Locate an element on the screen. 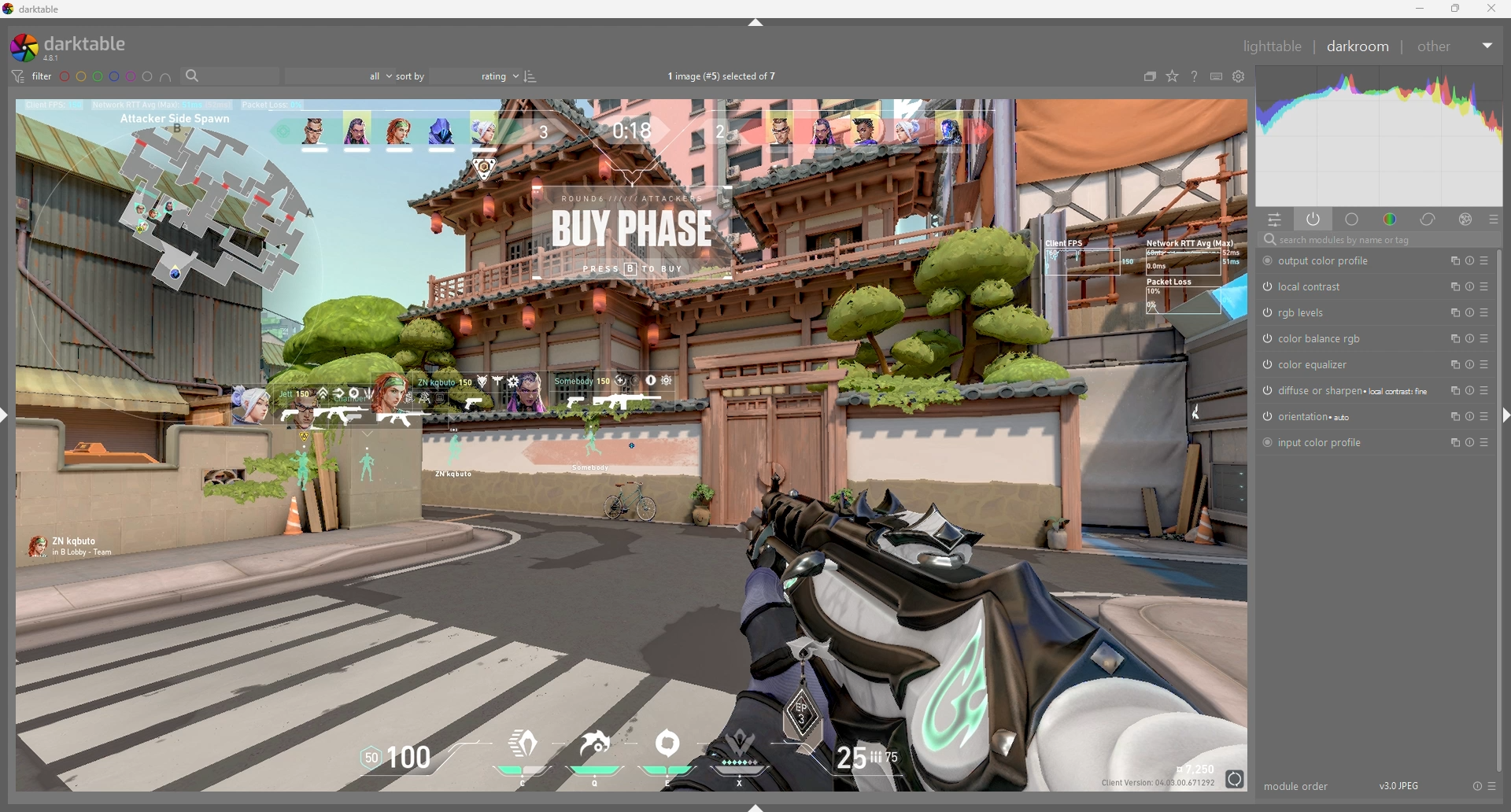 This screenshot has width=1511, height=812. online help is located at coordinates (1194, 76).